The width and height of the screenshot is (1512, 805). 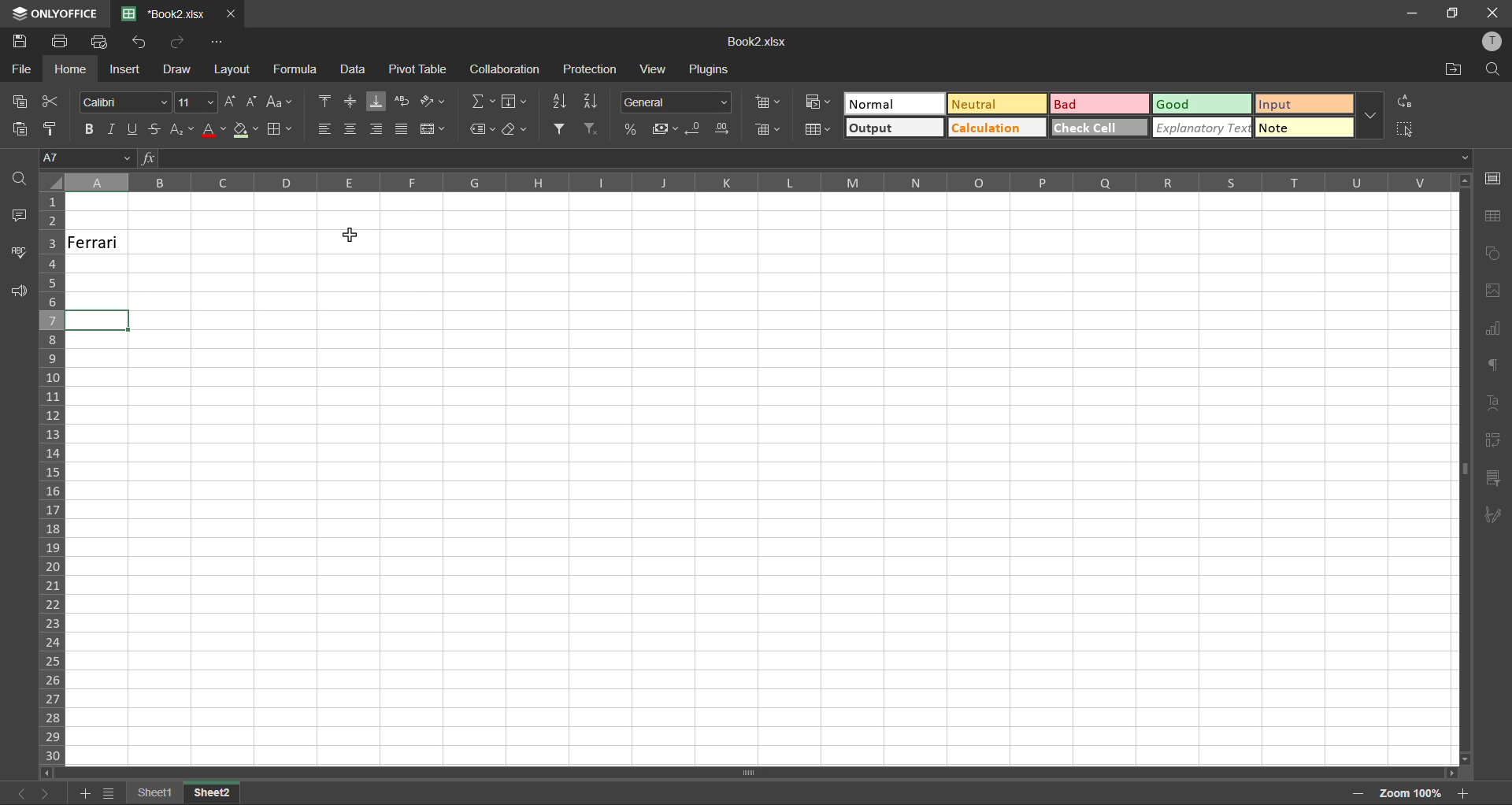 I want to click on column names, so click(x=759, y=184).